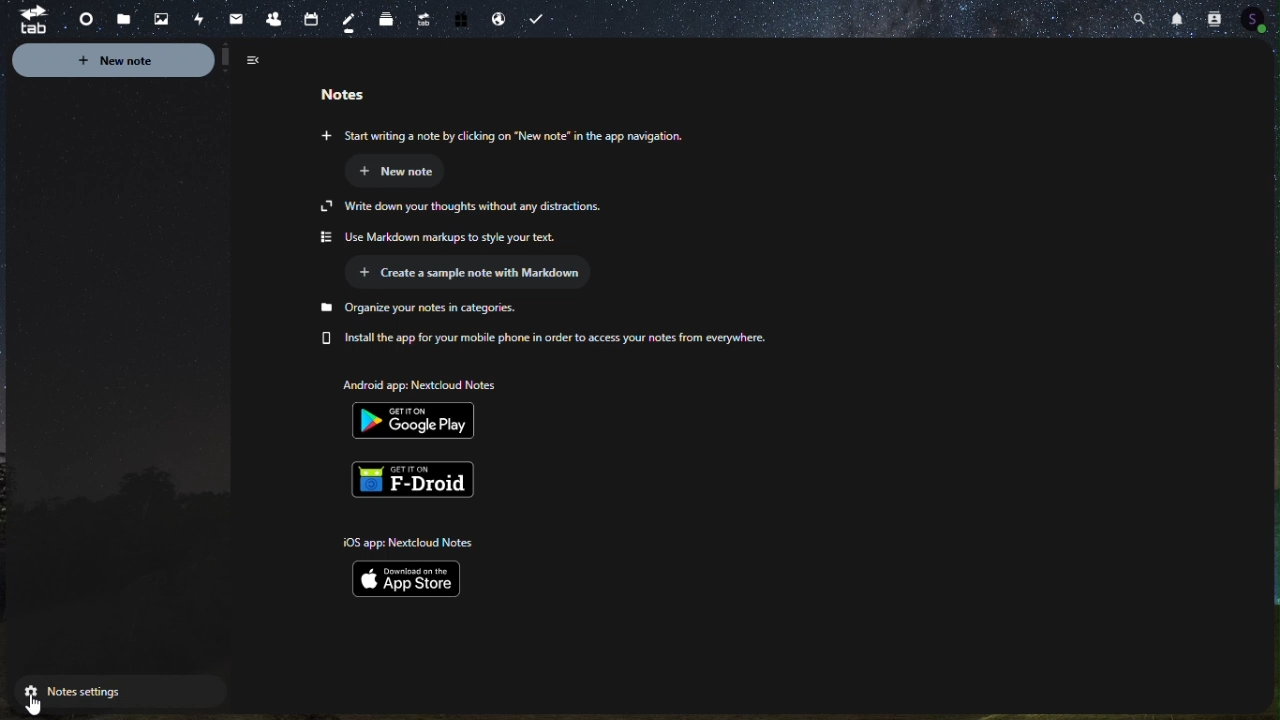  Describe the element at coordinates (268, 16) in the screenshot. I see `Contacts` at that location.